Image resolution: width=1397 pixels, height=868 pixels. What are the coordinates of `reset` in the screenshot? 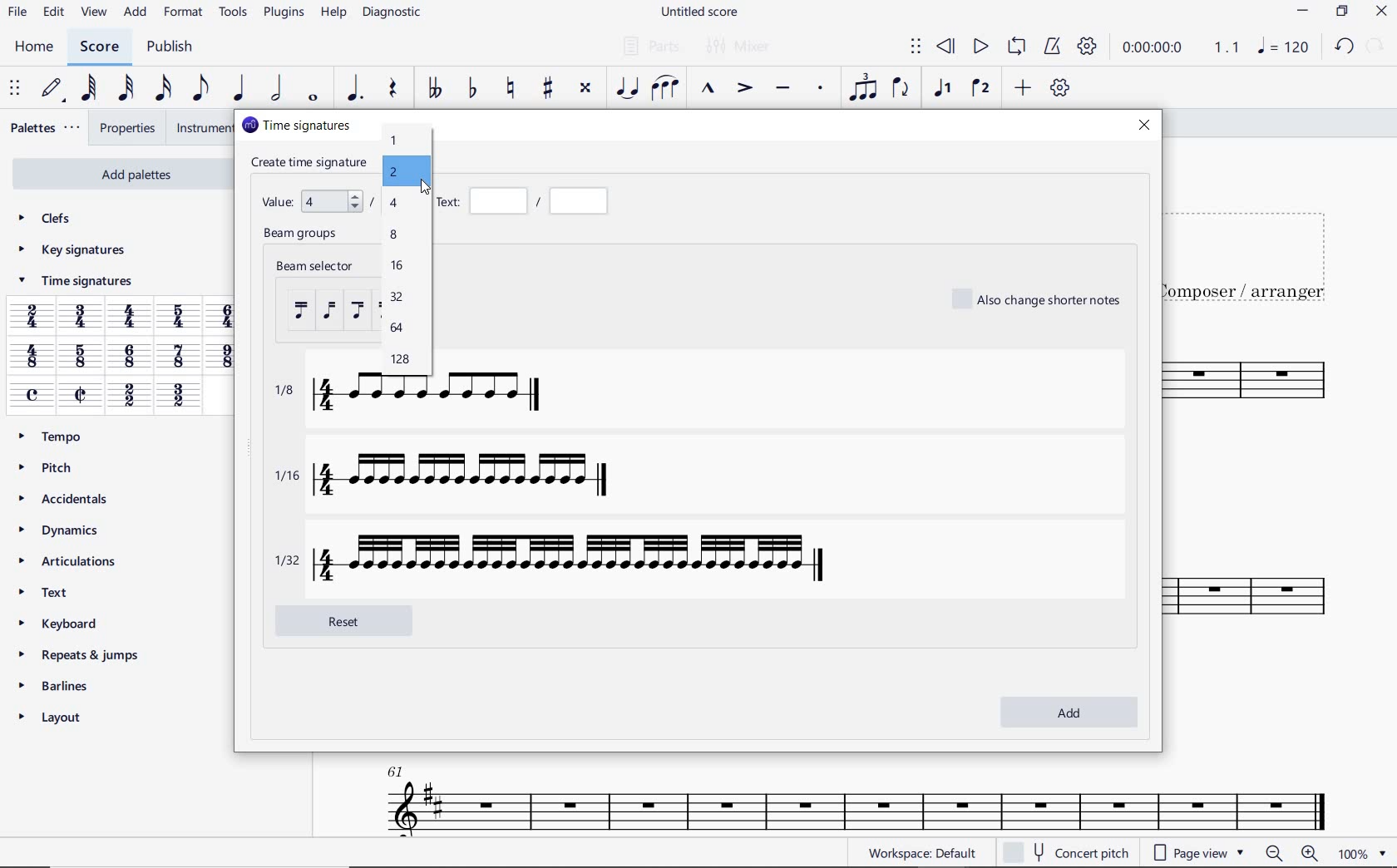 It's located at (358, 619).